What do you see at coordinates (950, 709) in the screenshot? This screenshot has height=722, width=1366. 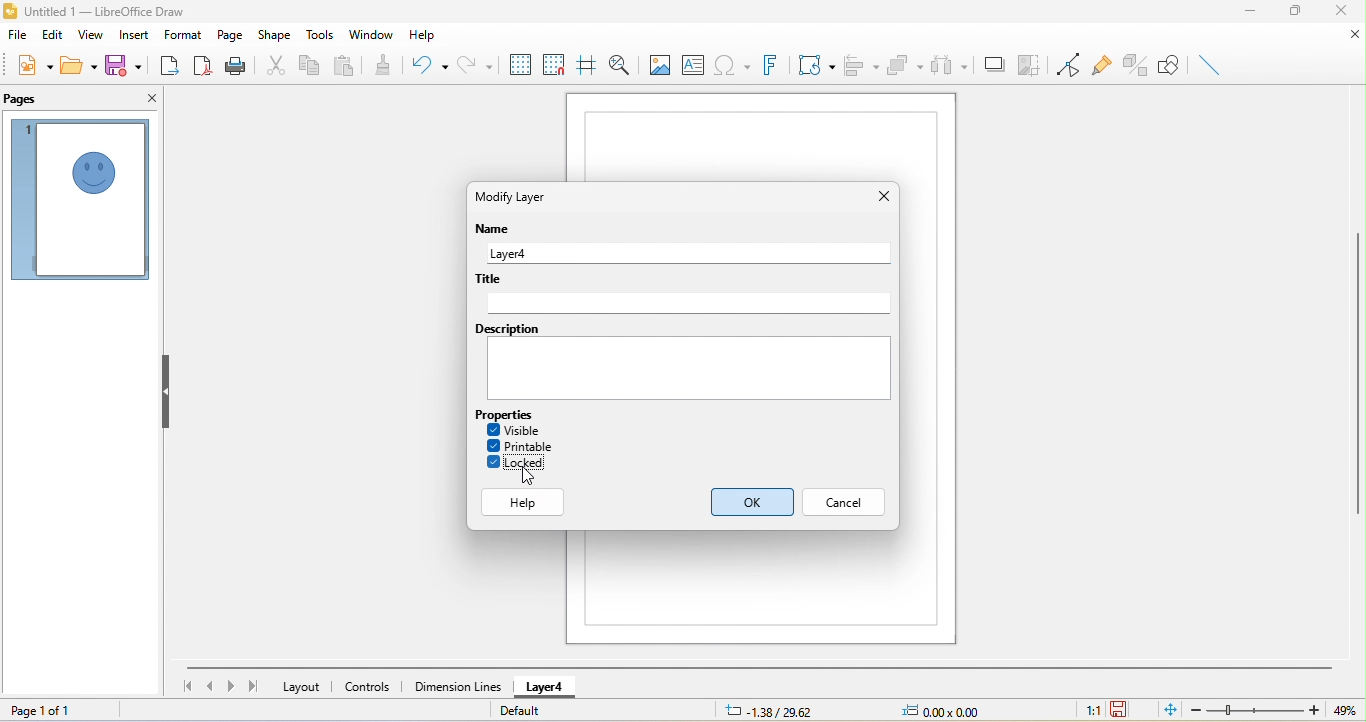 I see `0.00x0.00` at bounding box center [950, 709].